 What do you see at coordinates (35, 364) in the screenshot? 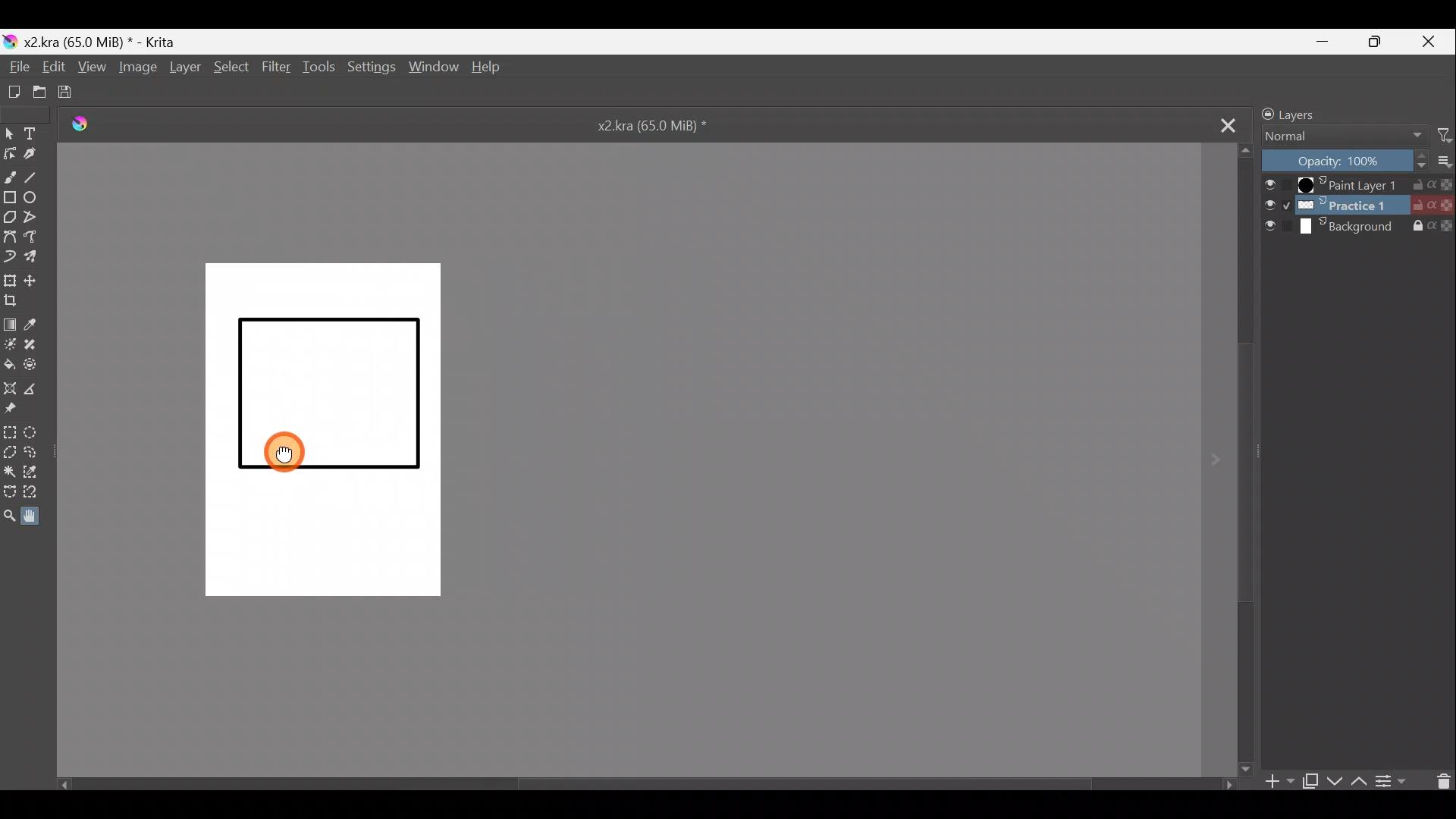
I see `Enclose & fill tool` at bounding box center [35, 364].